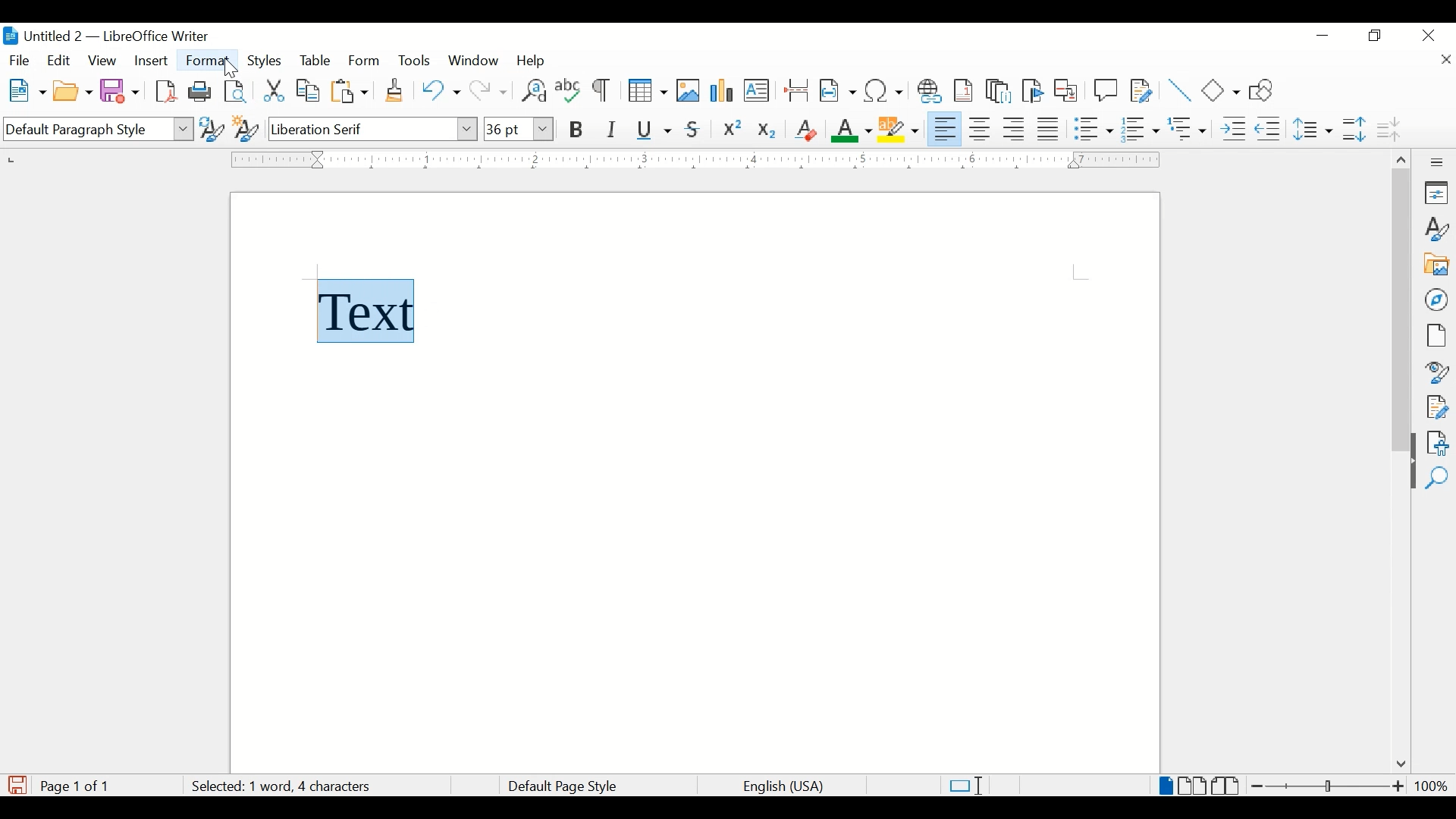 This screenshot has height=819, width=1456. I want to click on properties, so click(1438, 193).